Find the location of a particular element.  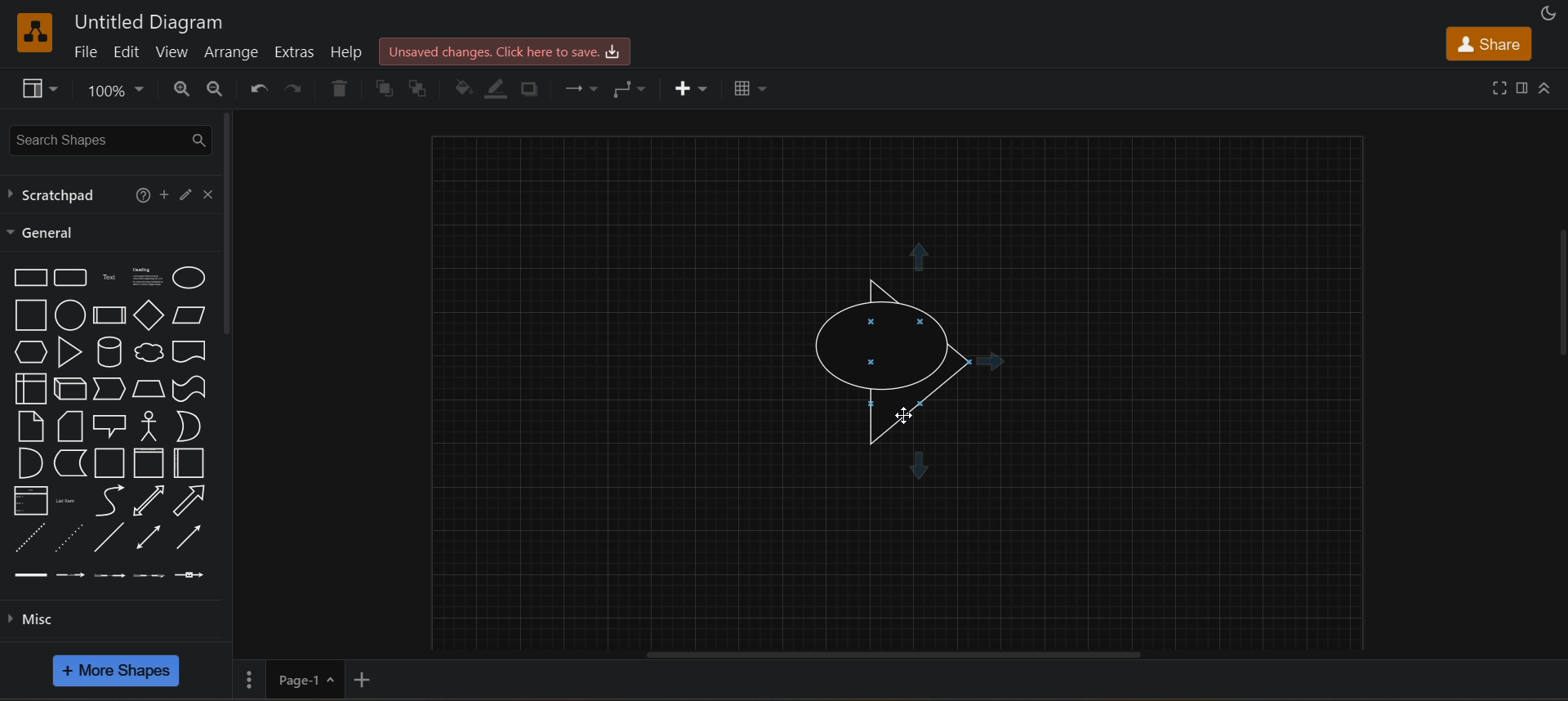

help is located at coordinates (341, 51).